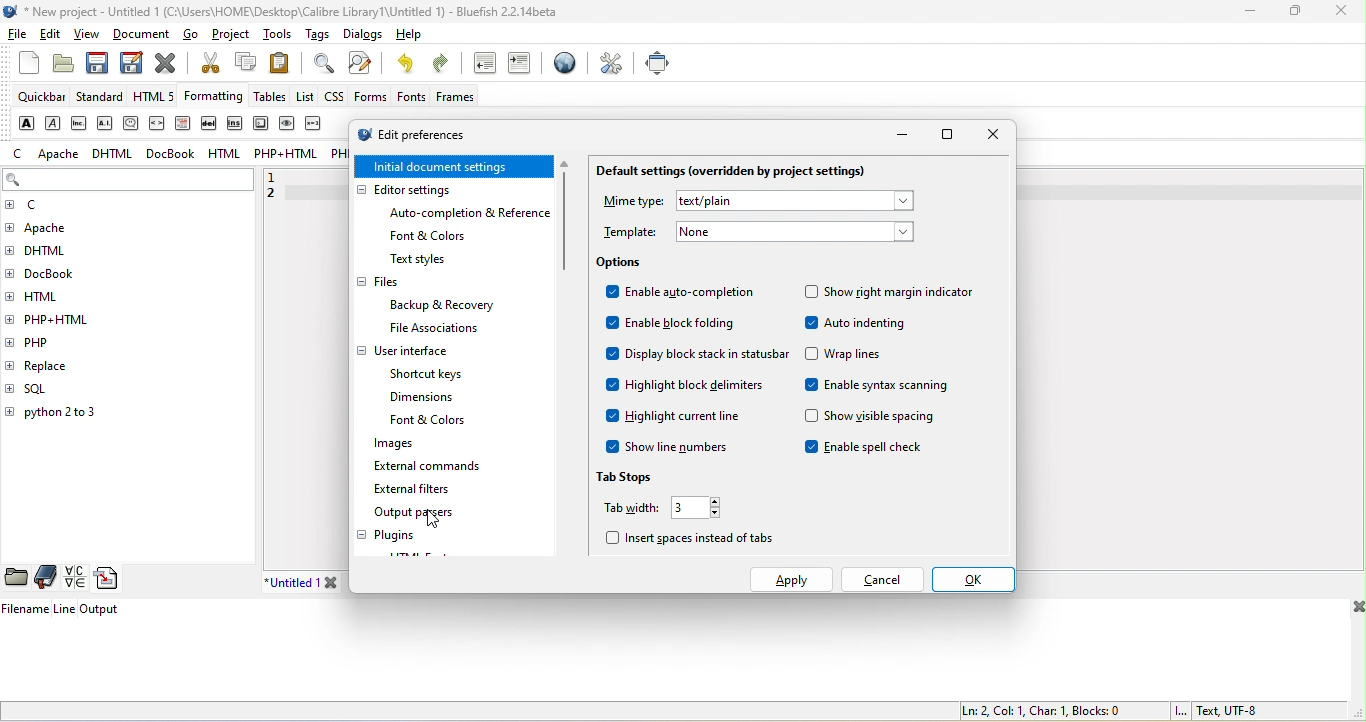 The image size is (1366, 722). What do you see at coordinates (62, 228) in the screenshot?
I see `apache` at bounding box center [62, 228].